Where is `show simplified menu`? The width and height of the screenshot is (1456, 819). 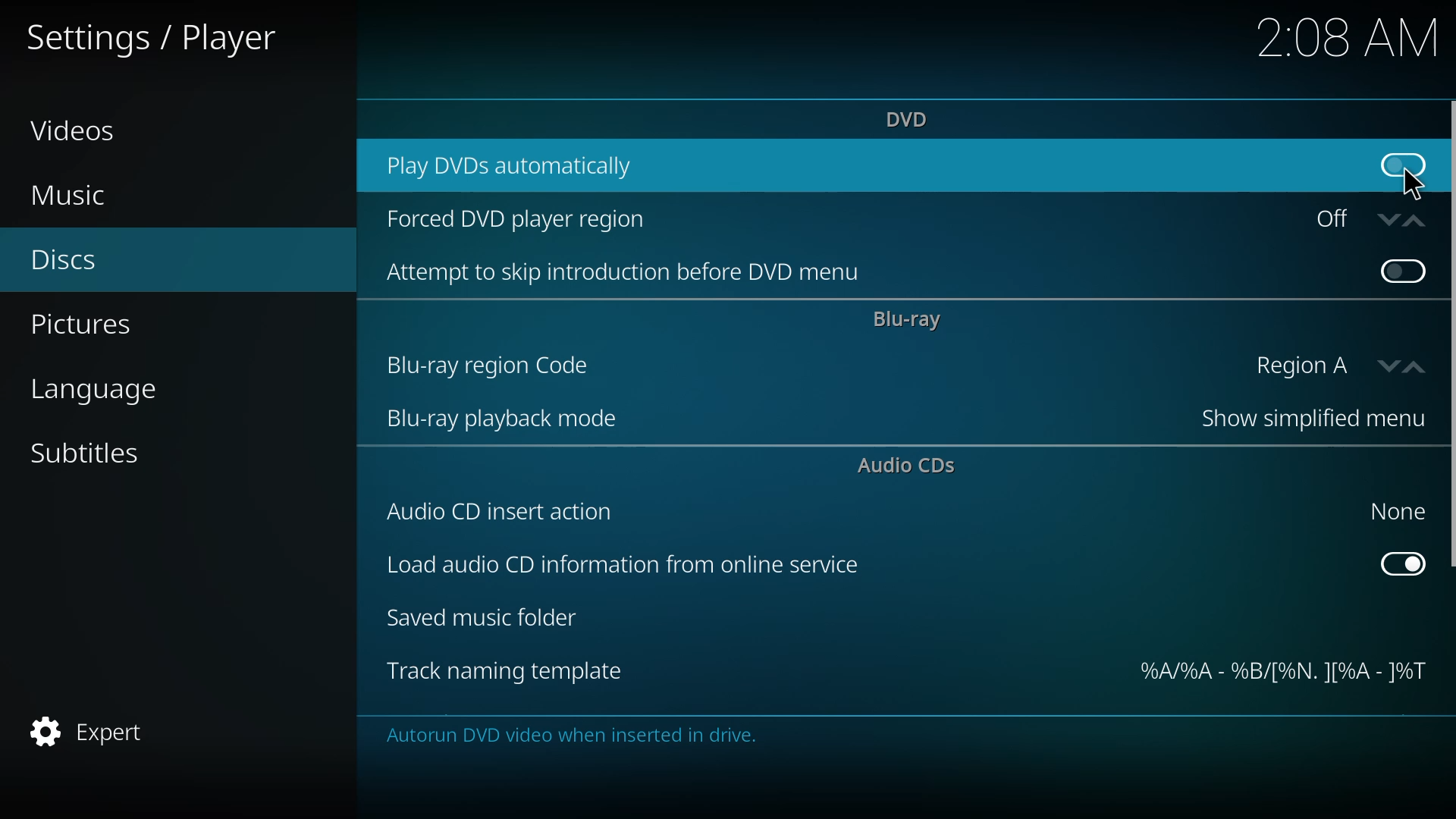
show simplified menu is located at coordinates (1303, 421).